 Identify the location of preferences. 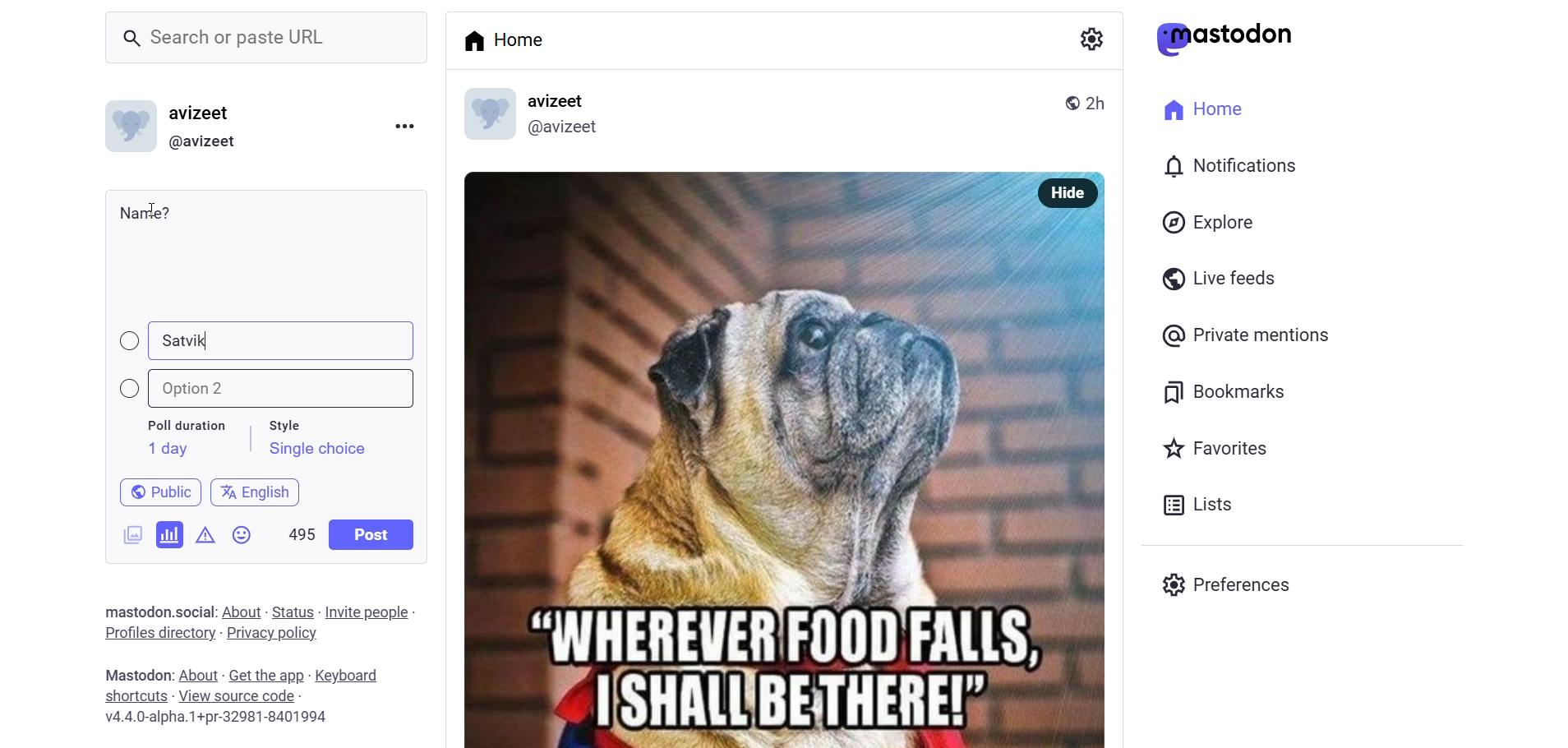
(1231, 582).